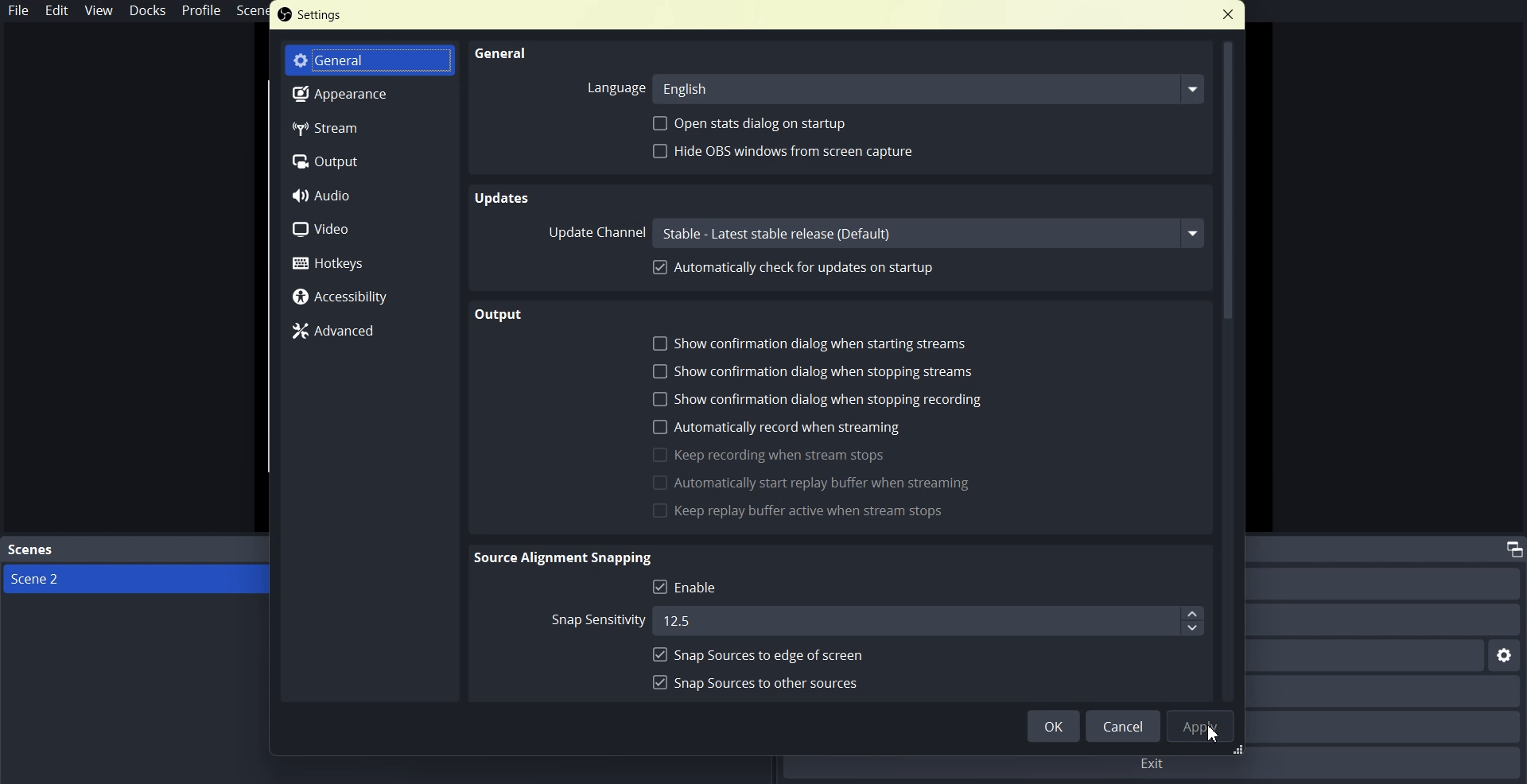 The image size is (1527, 784). Describe the element at coordinates (1229, 15) in the screenshot. I see `Close` at that location.